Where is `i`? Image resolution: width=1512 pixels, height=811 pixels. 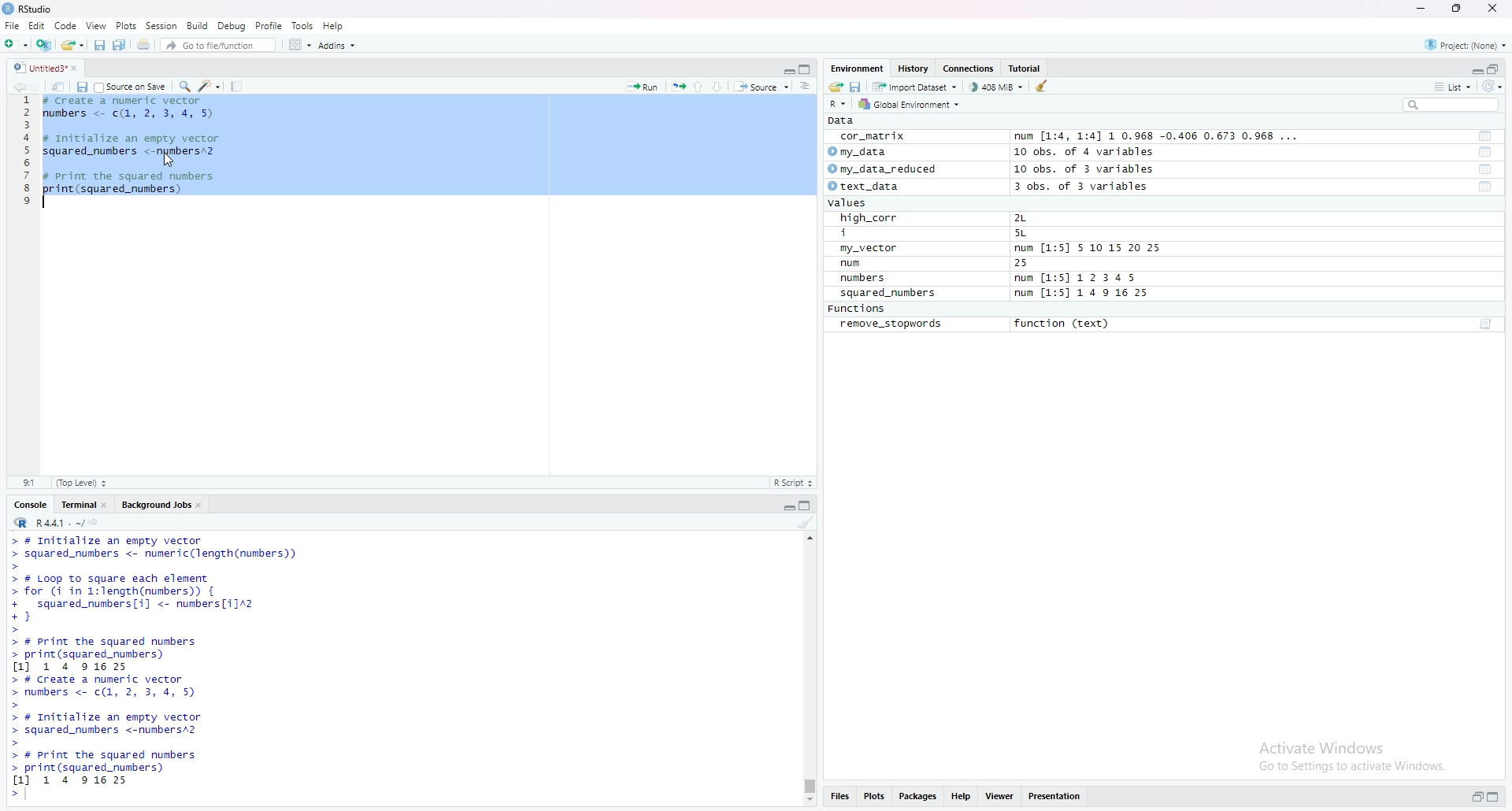
i is located at coordinates (872, 234).